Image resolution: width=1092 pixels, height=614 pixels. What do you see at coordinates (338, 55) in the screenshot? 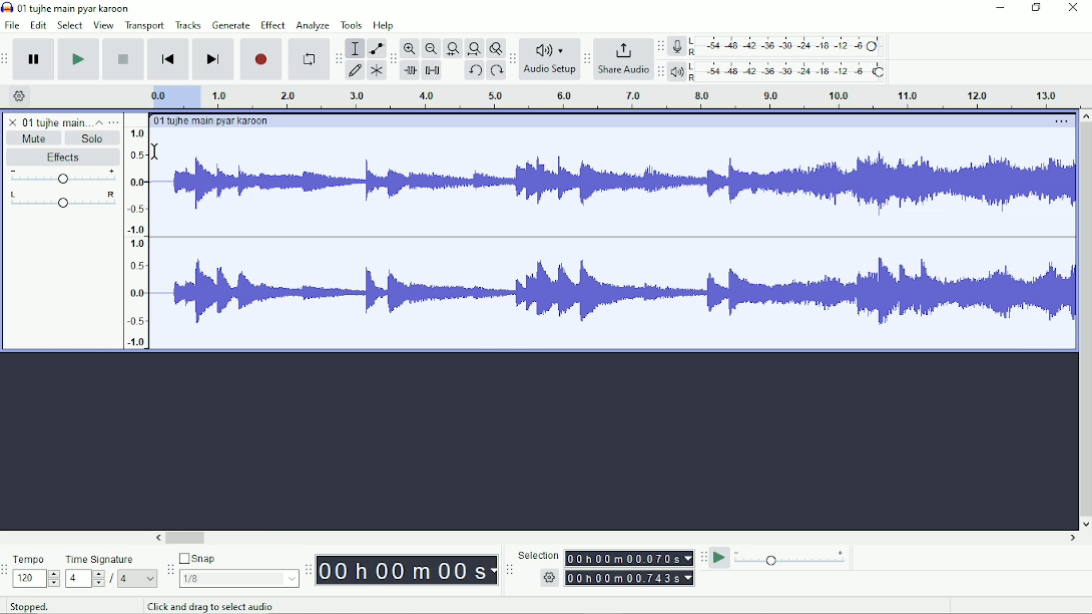
I see `Audacity tools toolbar` at bounding box center [338, 55].